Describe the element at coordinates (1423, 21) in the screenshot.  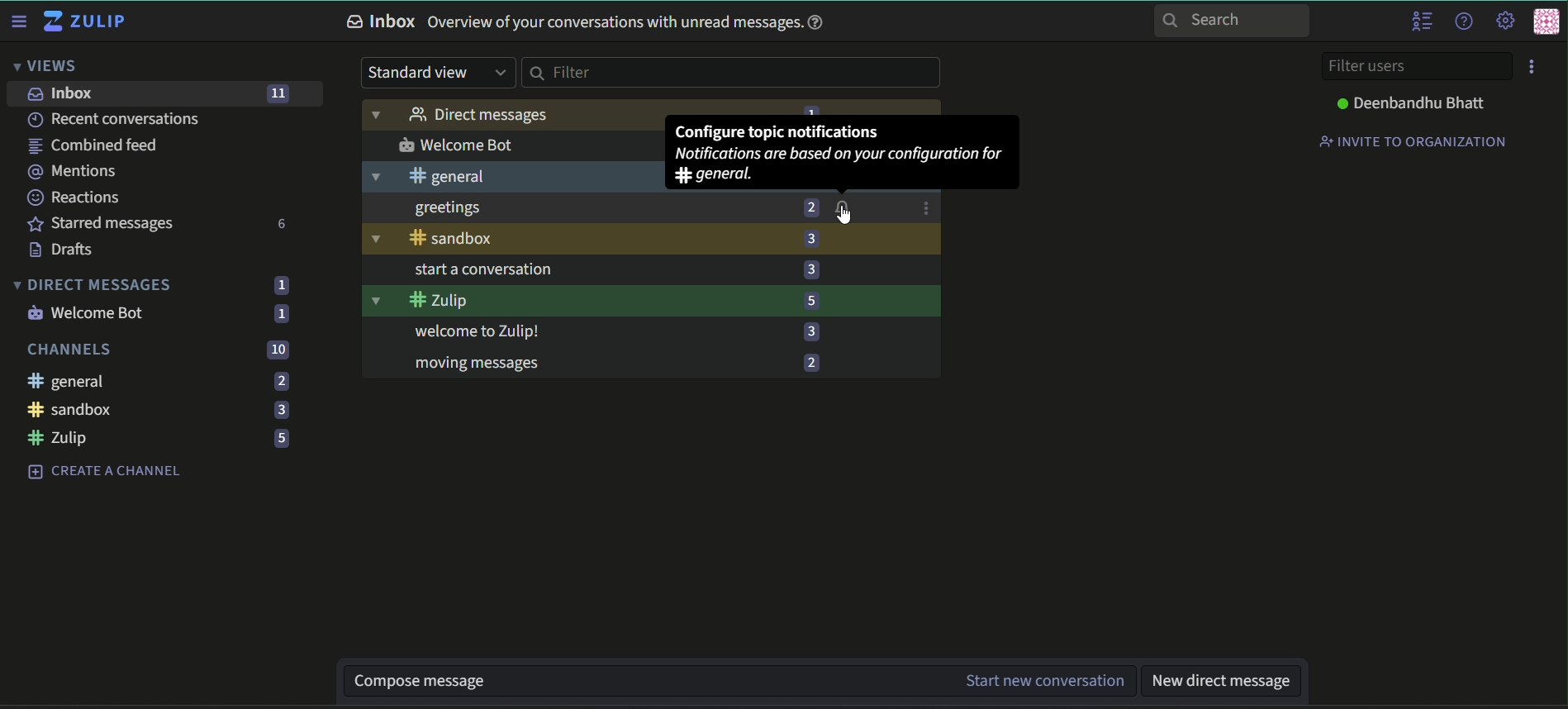
I see `hide user list` at that location.